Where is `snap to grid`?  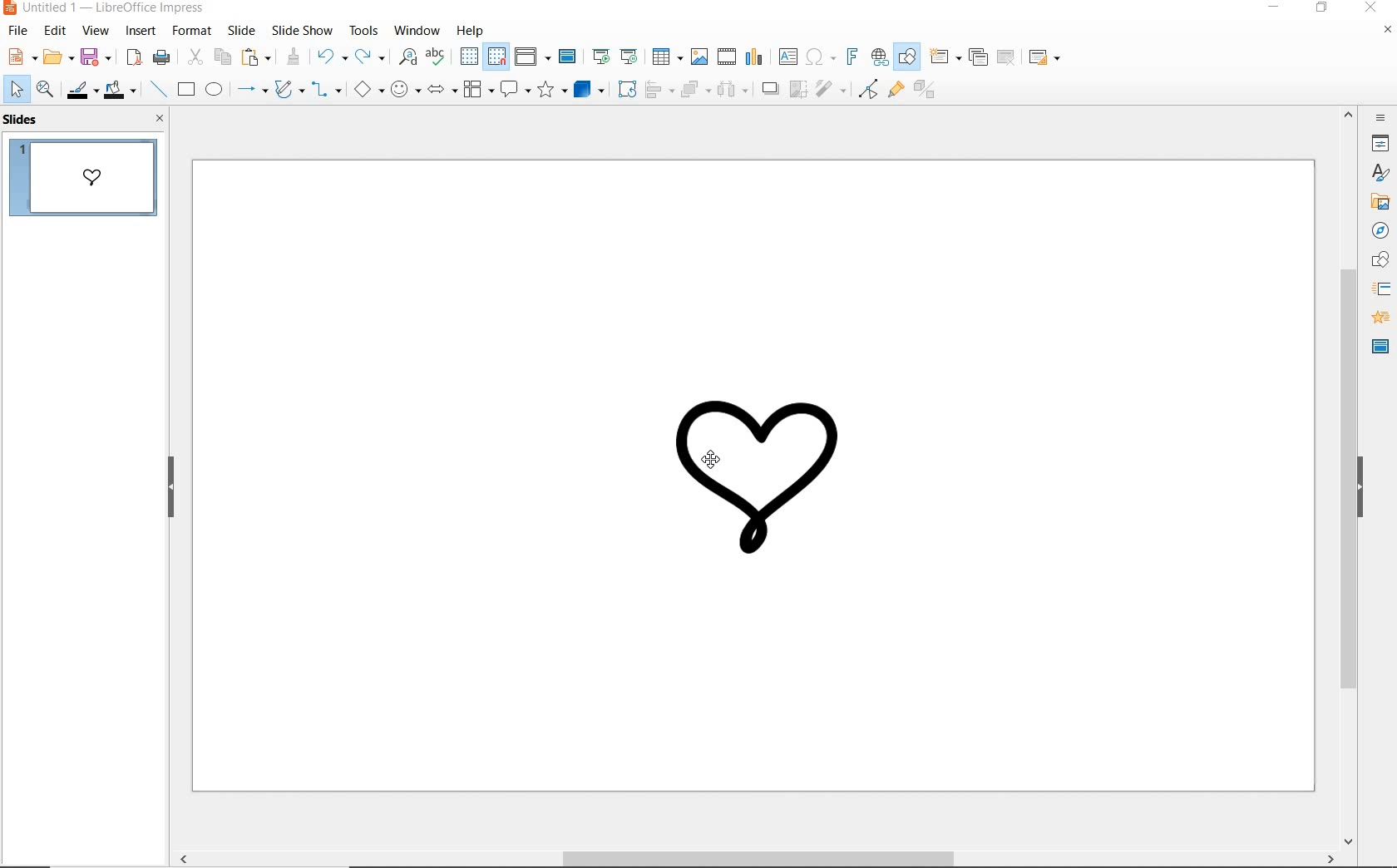 snap to grid is located at coordinates (497, 57).